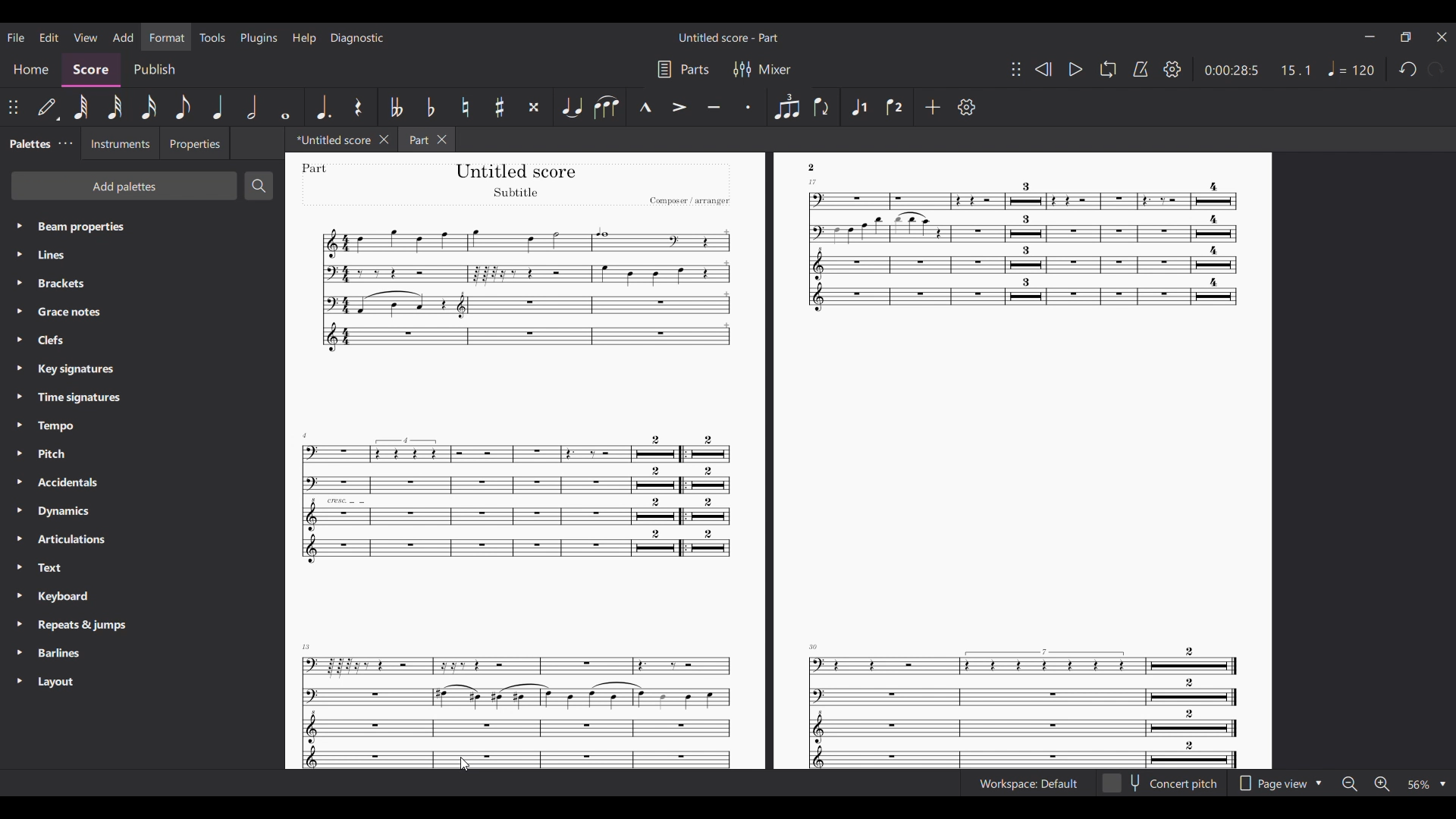 This screenshot has width=1456, height=819. What do you see at coordinates (463, 763) in the screenshot?
I see `cursor` at bounding box center [463, 763].